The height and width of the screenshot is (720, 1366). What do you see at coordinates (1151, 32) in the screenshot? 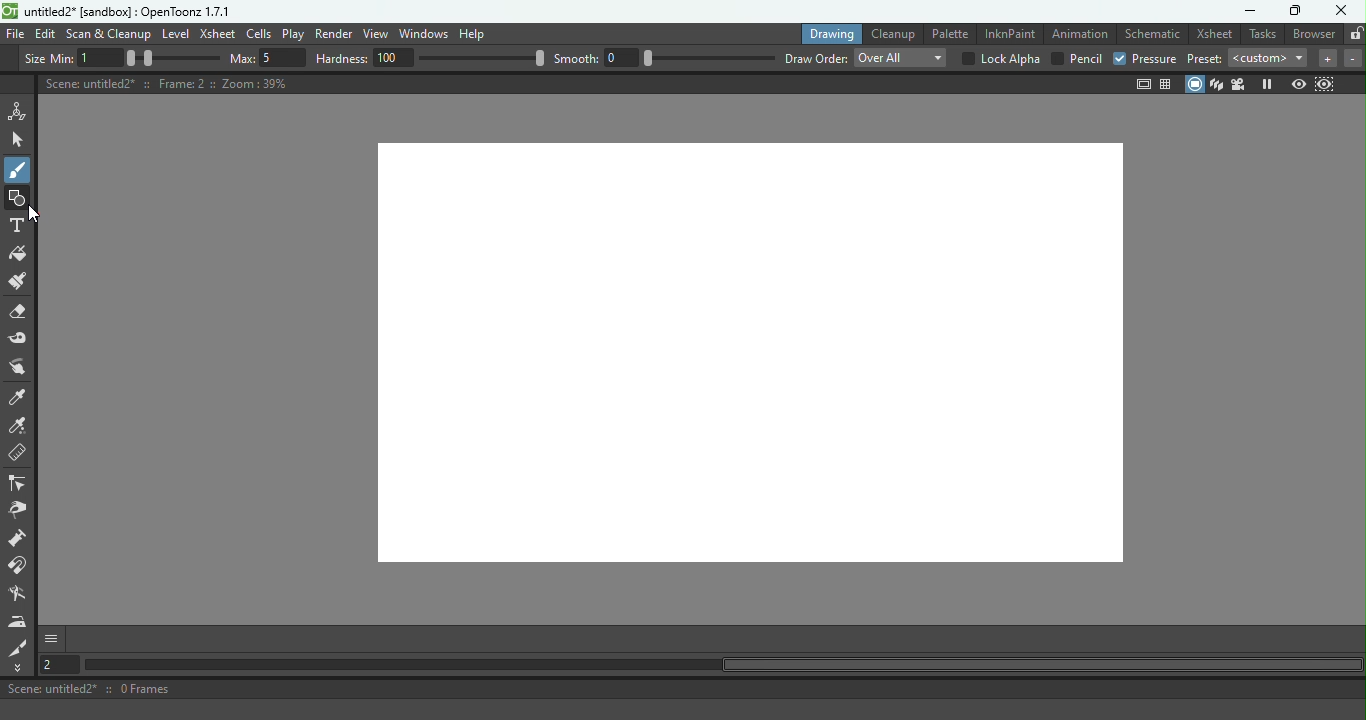
I see `Schematic` at bounding box center [1151, 32].